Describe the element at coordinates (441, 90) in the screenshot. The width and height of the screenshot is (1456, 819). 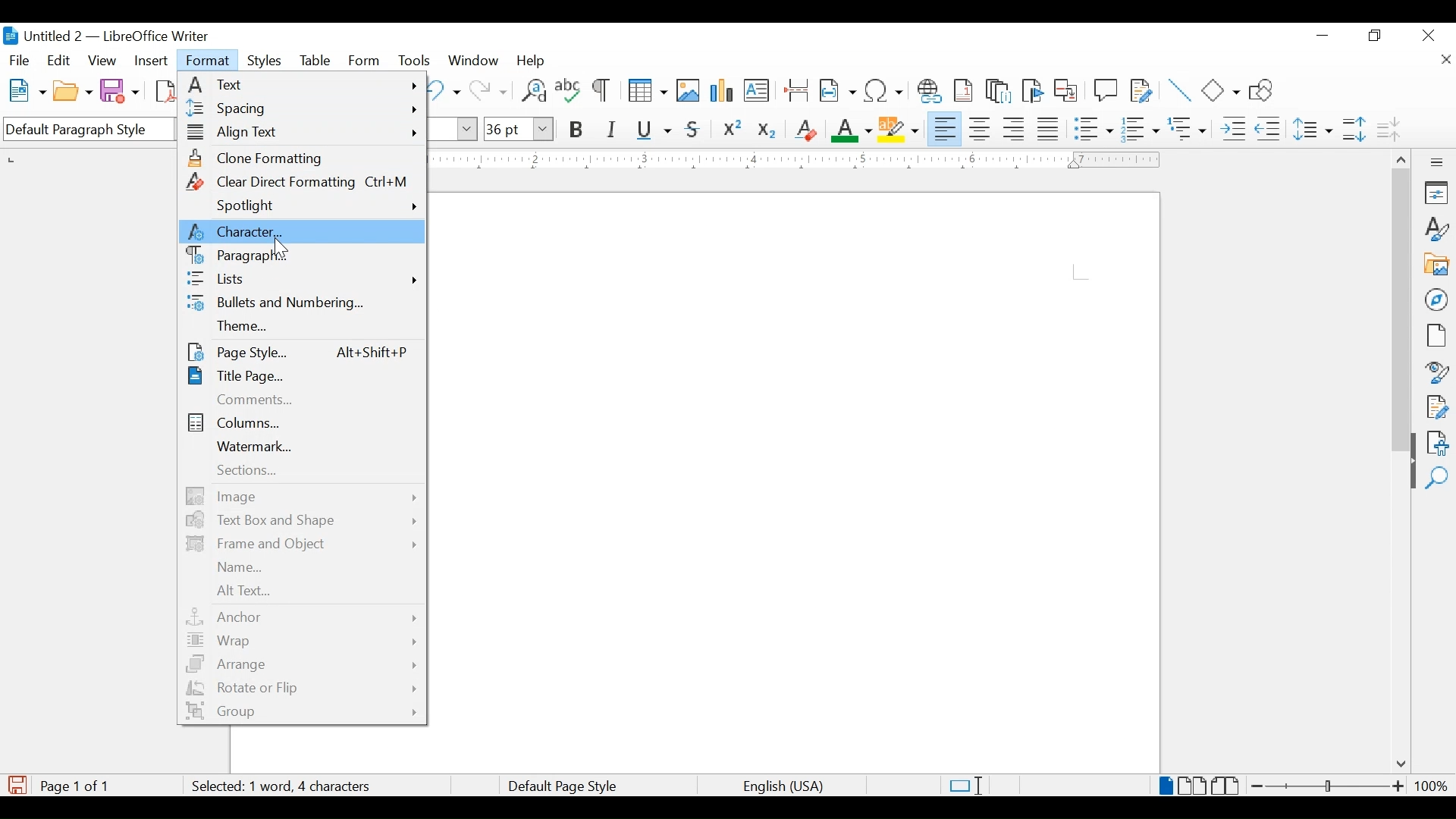
I see `undo` at that location.